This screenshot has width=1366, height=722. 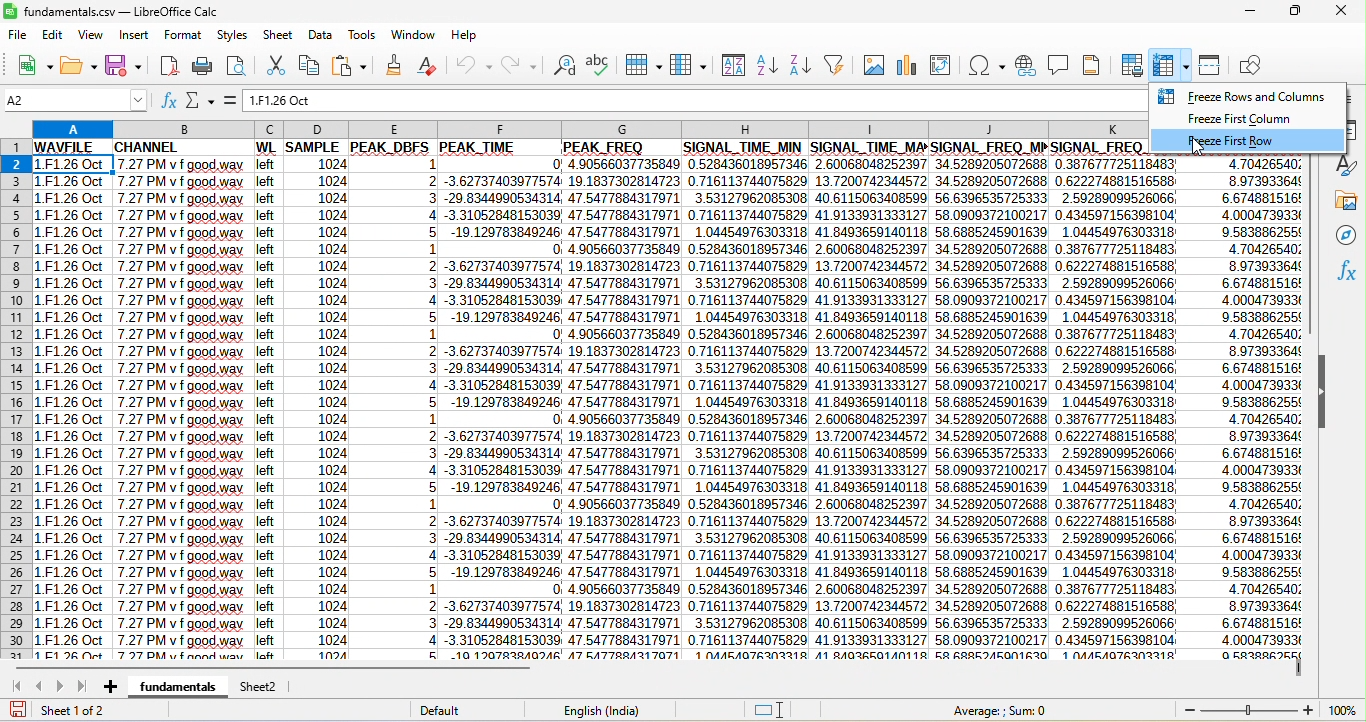 I want to click on , so click(x=280, y=666).